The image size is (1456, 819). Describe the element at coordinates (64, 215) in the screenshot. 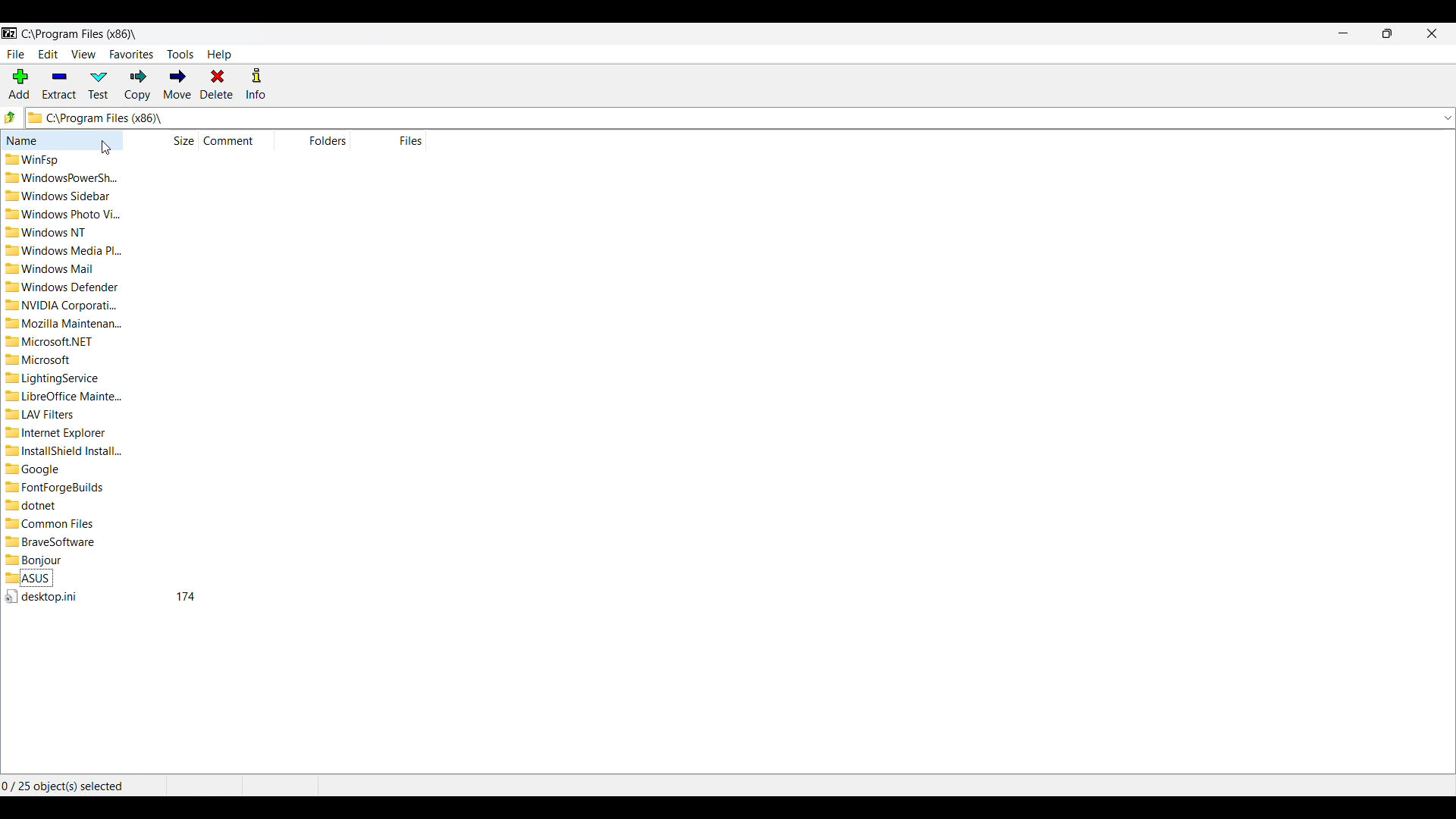

I see `Windows Photo Vi..` at that location.